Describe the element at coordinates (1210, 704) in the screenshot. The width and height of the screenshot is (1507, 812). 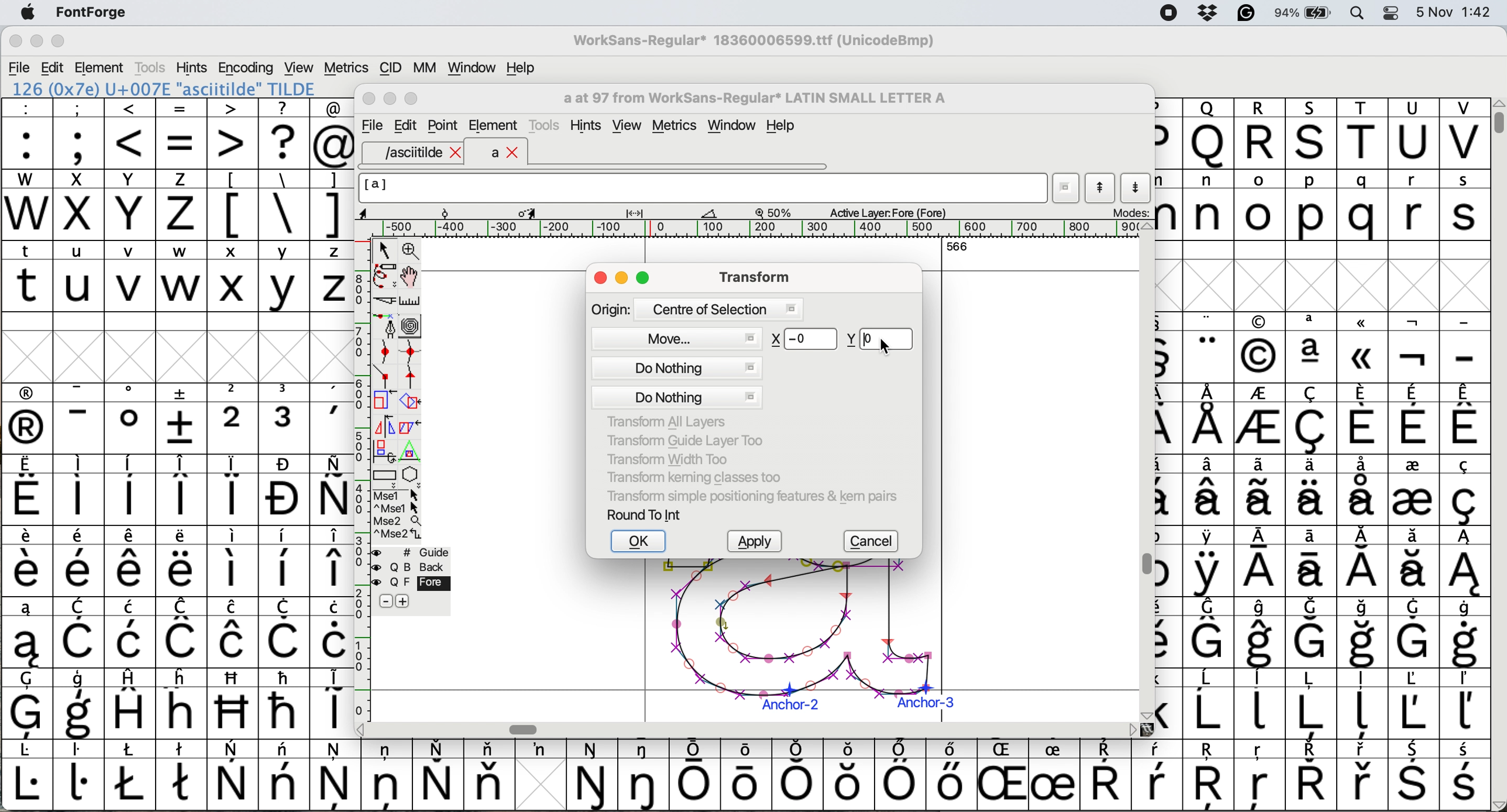
I see `symbol` at that location.